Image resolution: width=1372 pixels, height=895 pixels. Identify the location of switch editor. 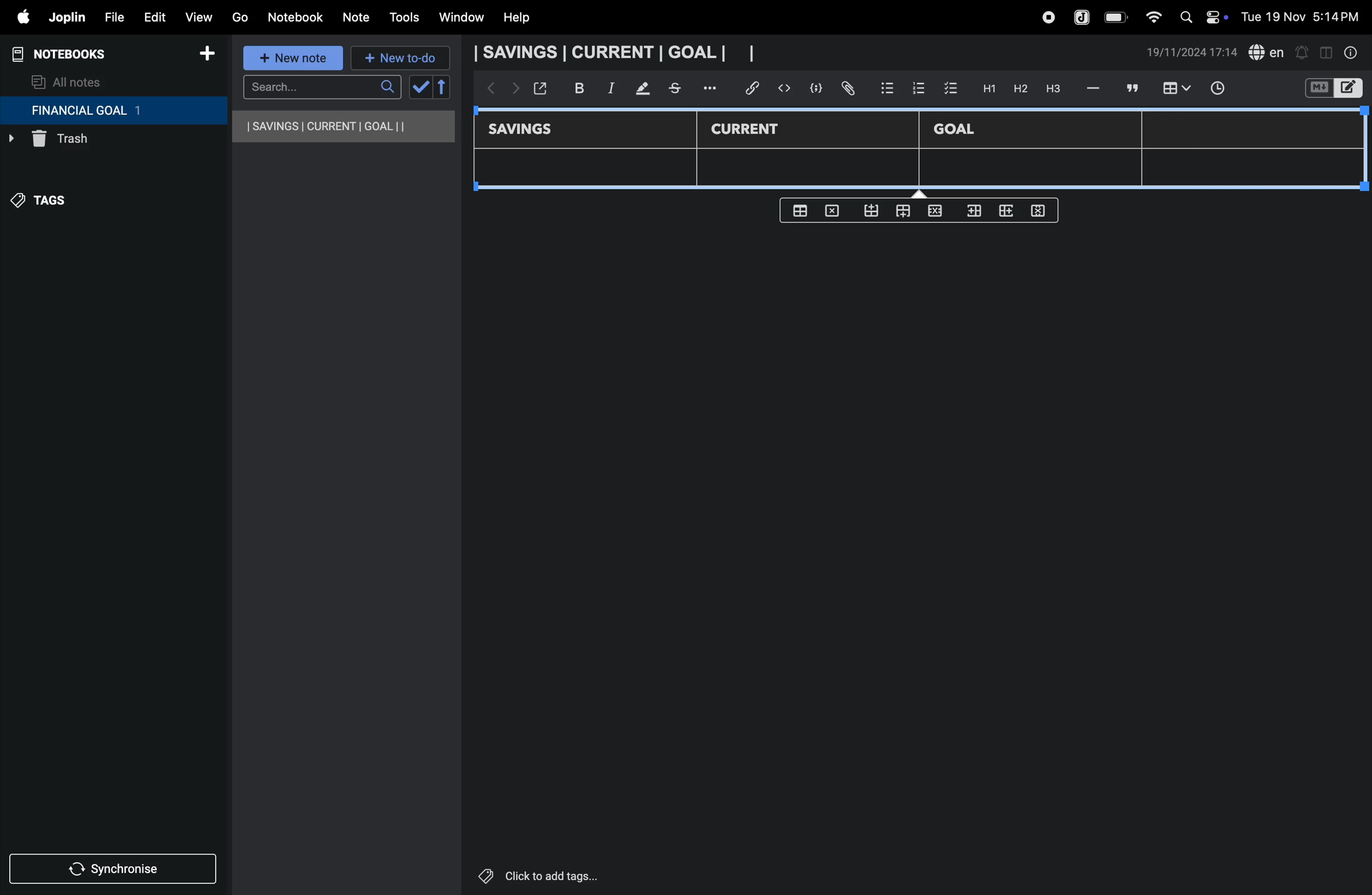
(1332, 88).